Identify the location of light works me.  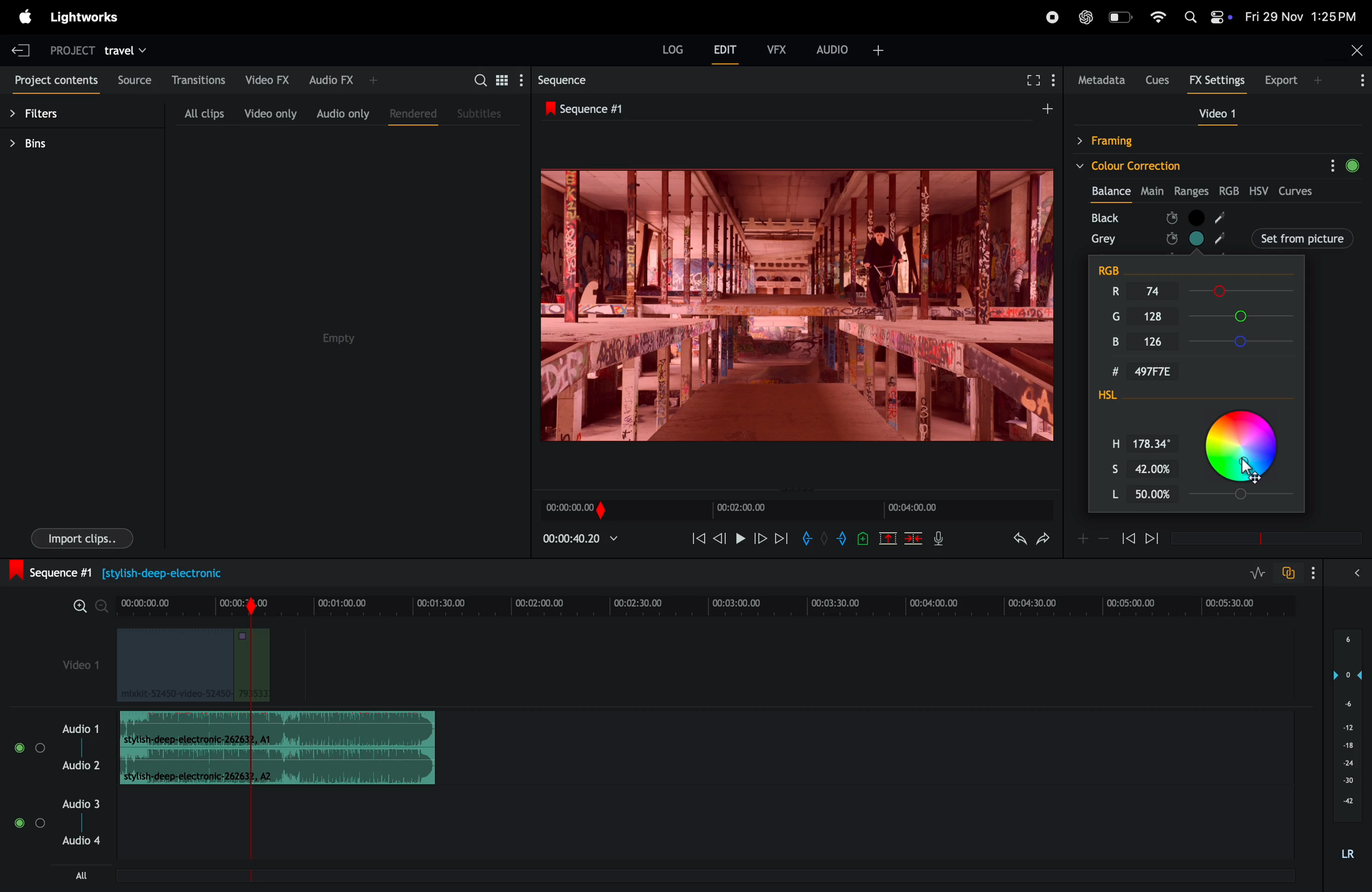
(87, 16).